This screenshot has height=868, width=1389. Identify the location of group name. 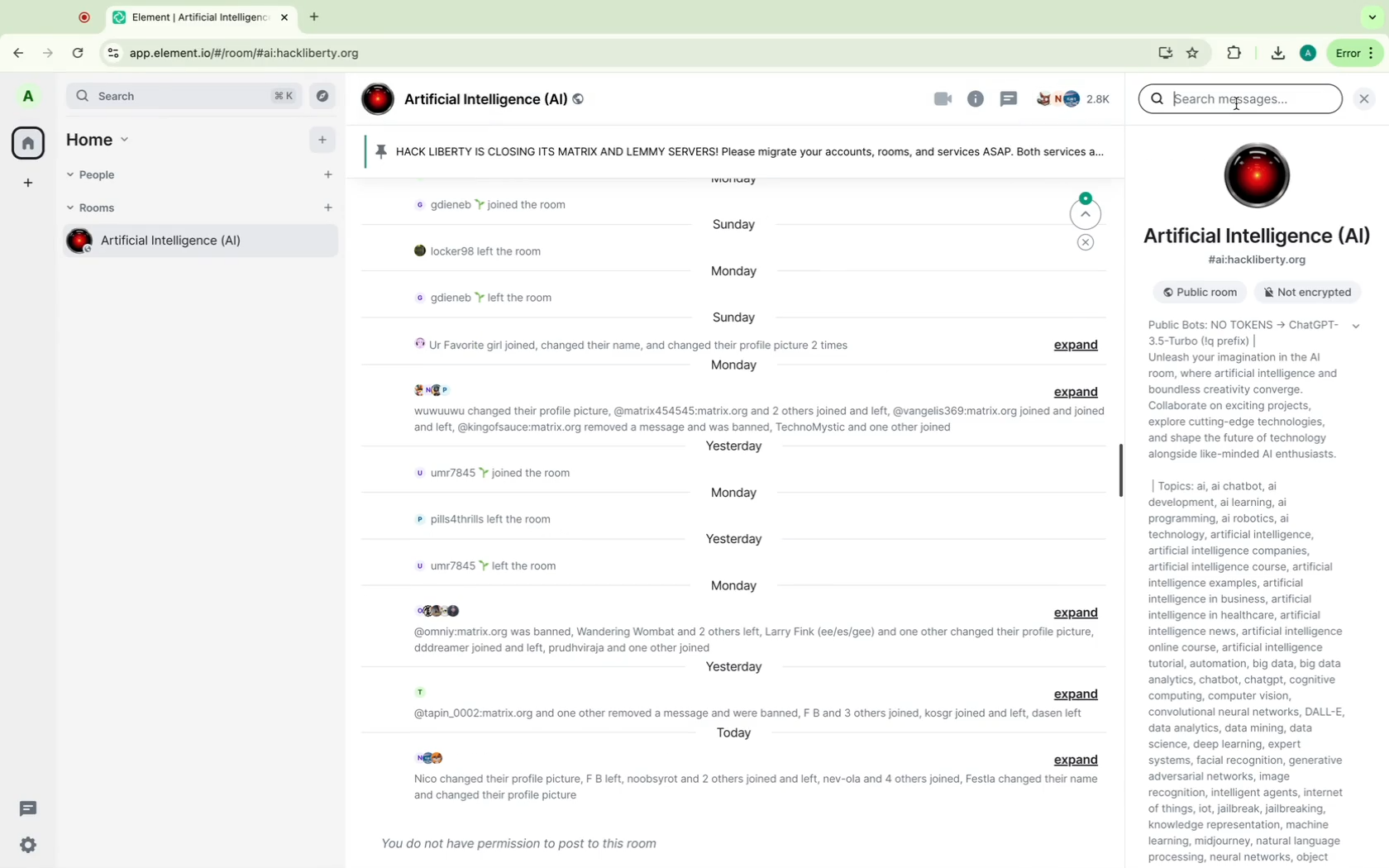
(475, 100).